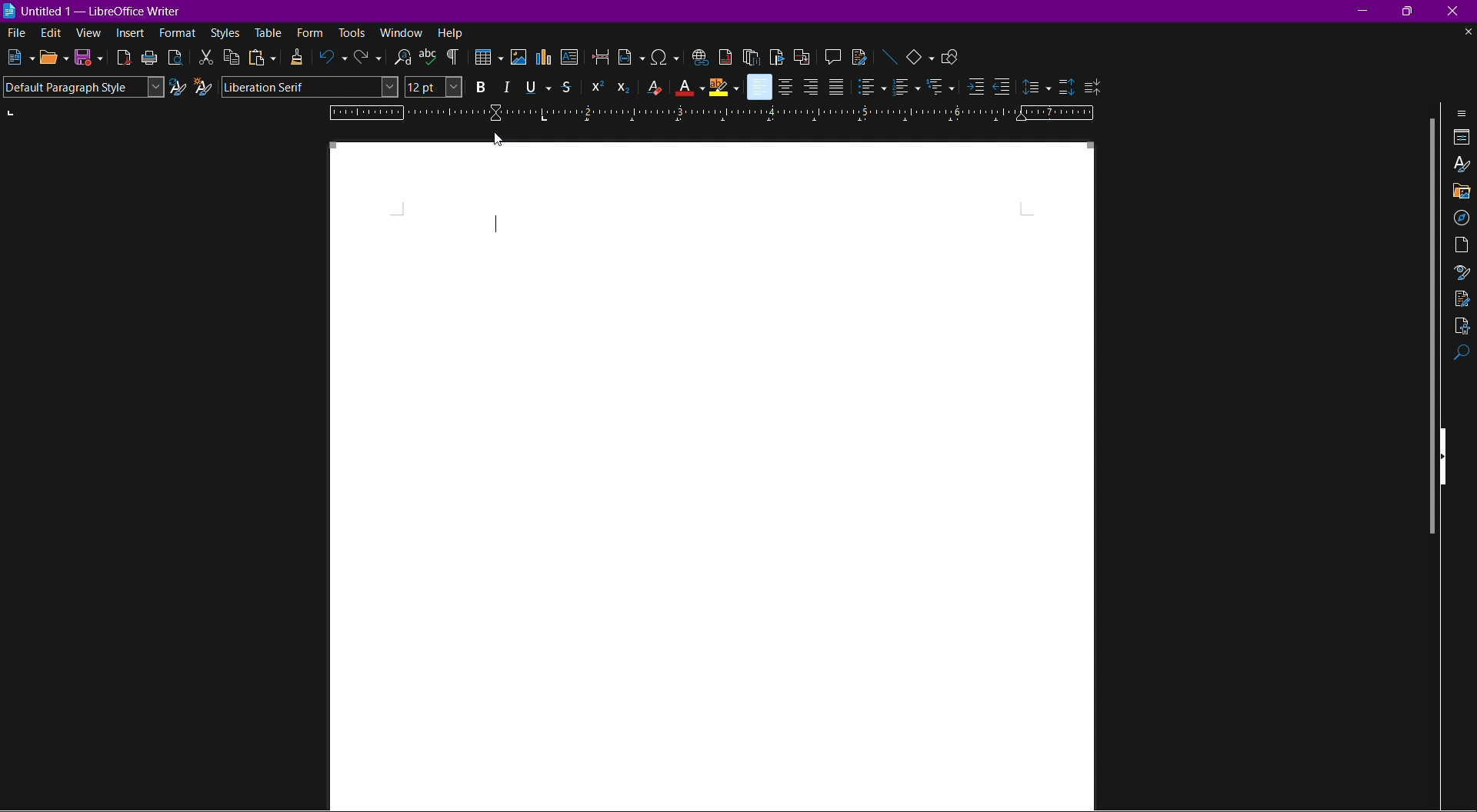 The width and height of the screenshot is (1477, 812). Describe the element at coordinates (506, 87) in the screenshot. I see `Italics` at that location.